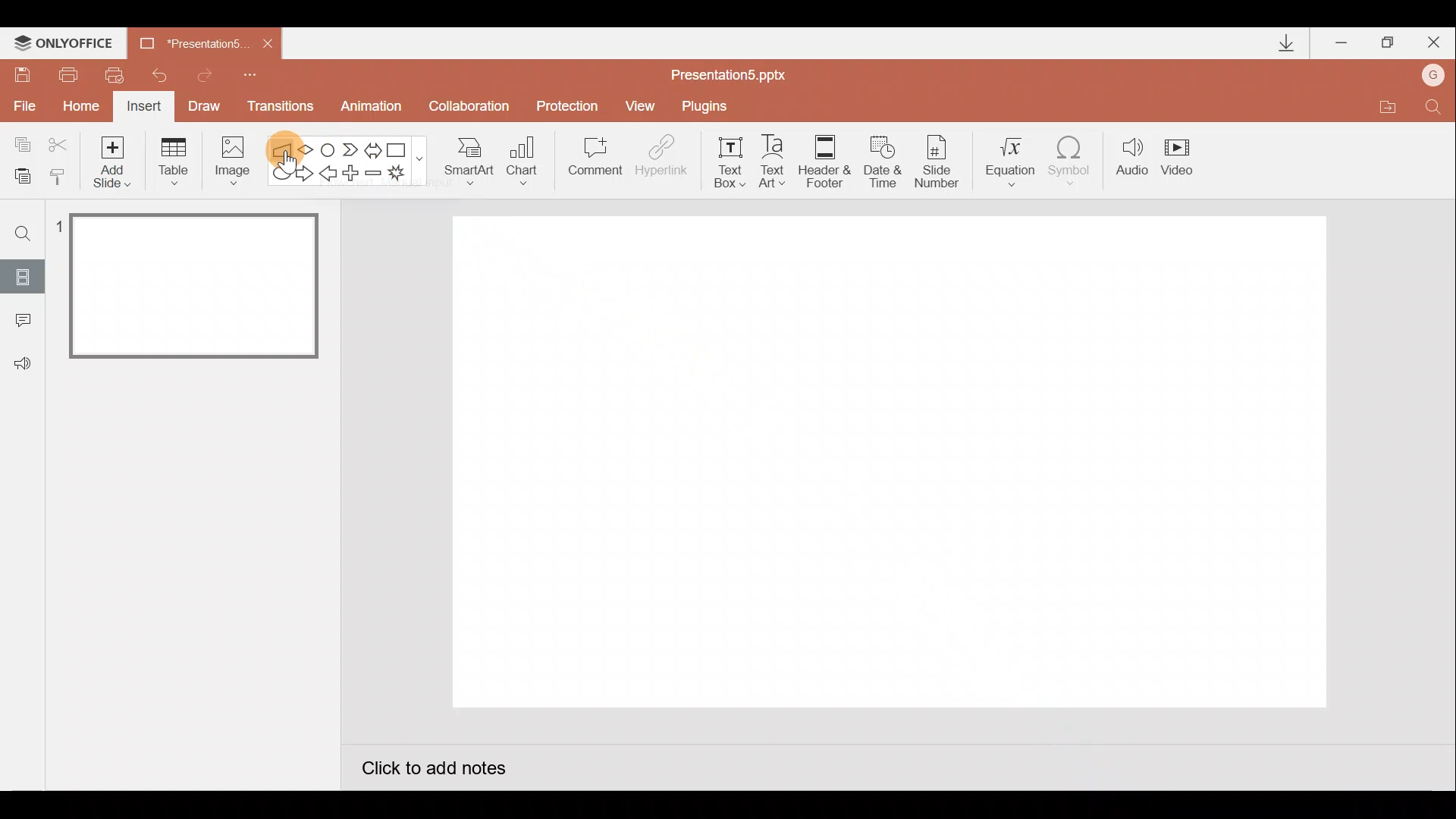 The width and height of the screenshot is (1456, 819). I want to click on Paste, so click(18, 174).